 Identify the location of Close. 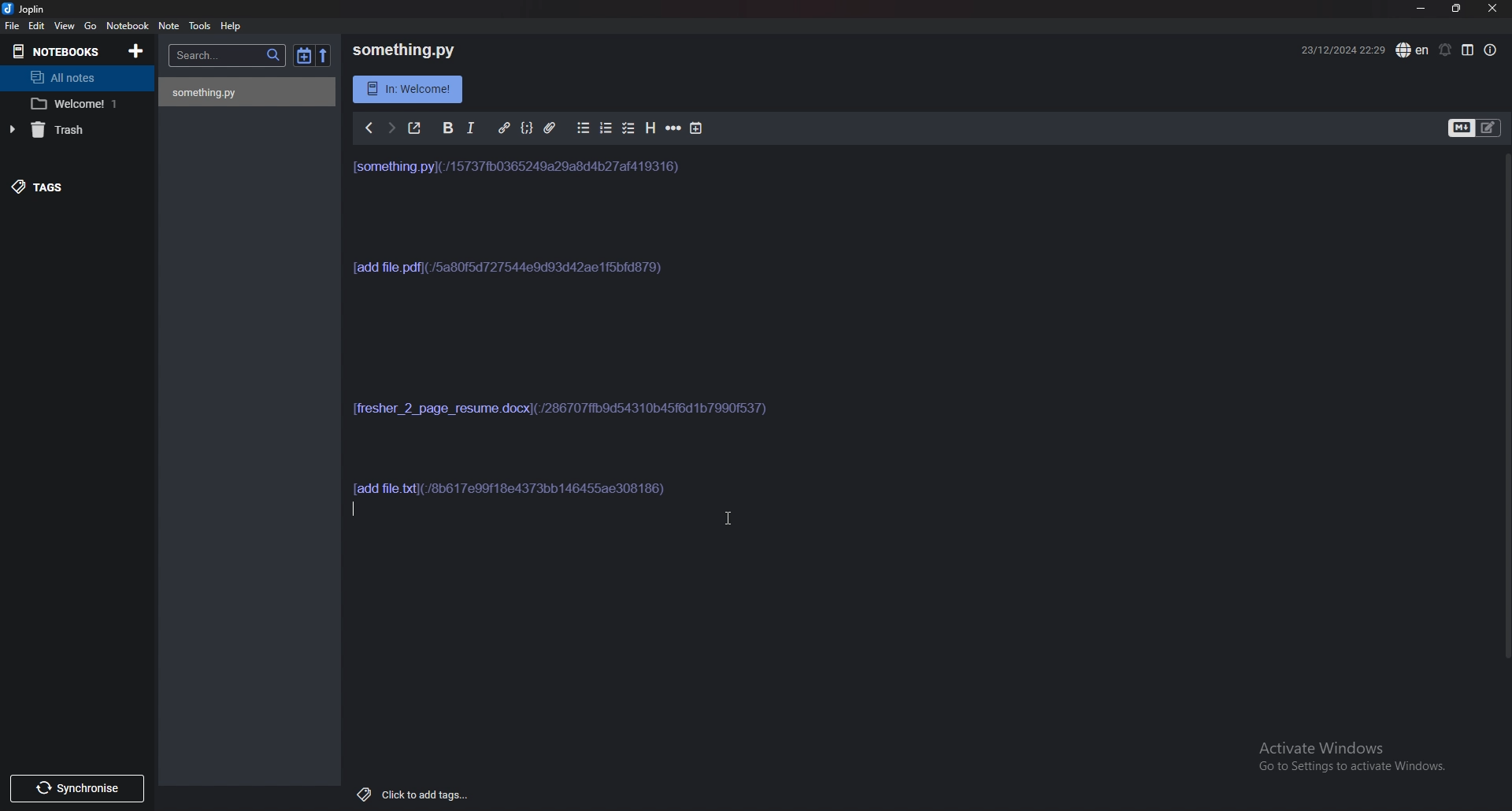
(1494, 8).